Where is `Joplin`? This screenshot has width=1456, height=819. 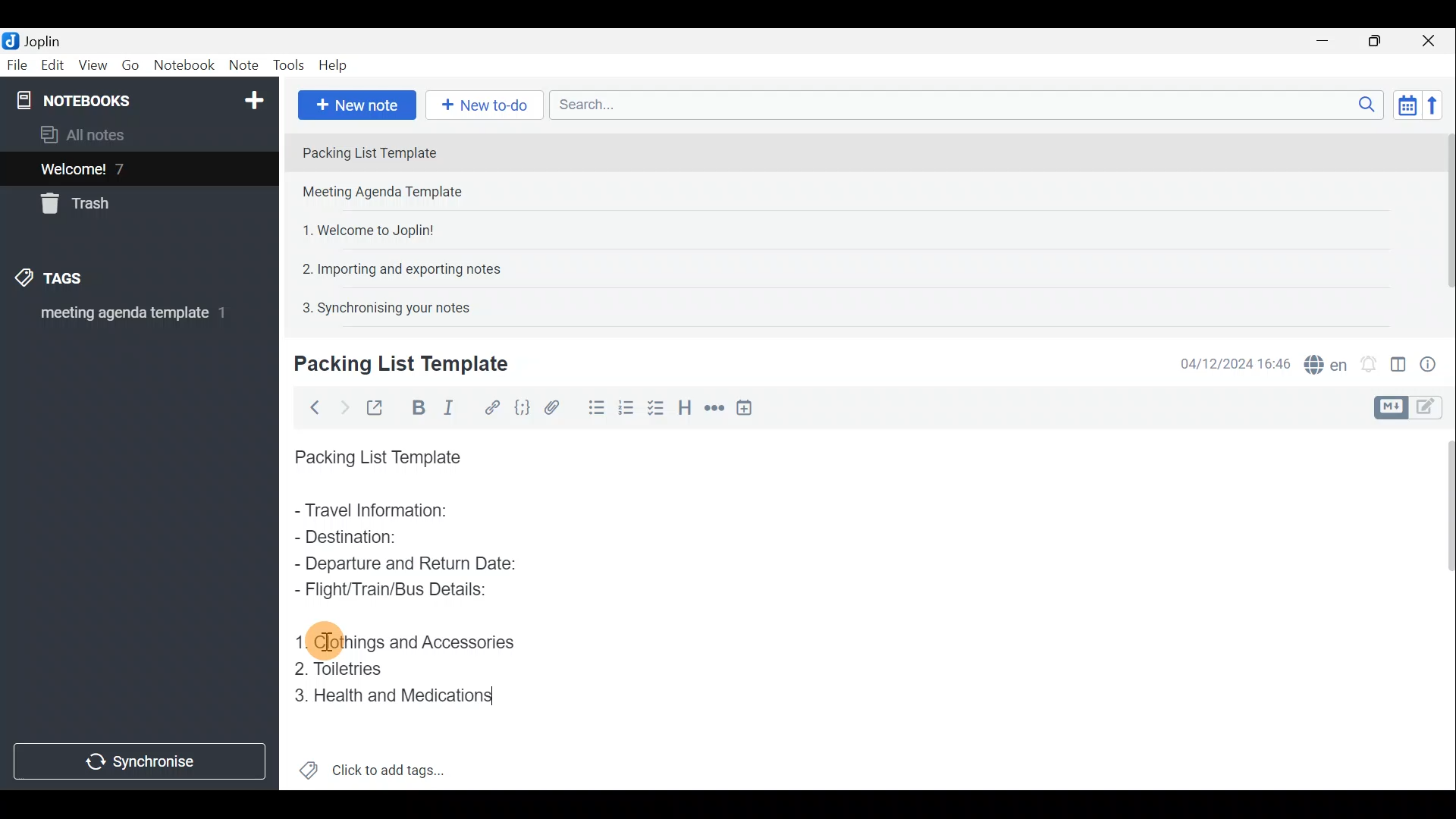
Joplin is located at coordinates (36, 40).